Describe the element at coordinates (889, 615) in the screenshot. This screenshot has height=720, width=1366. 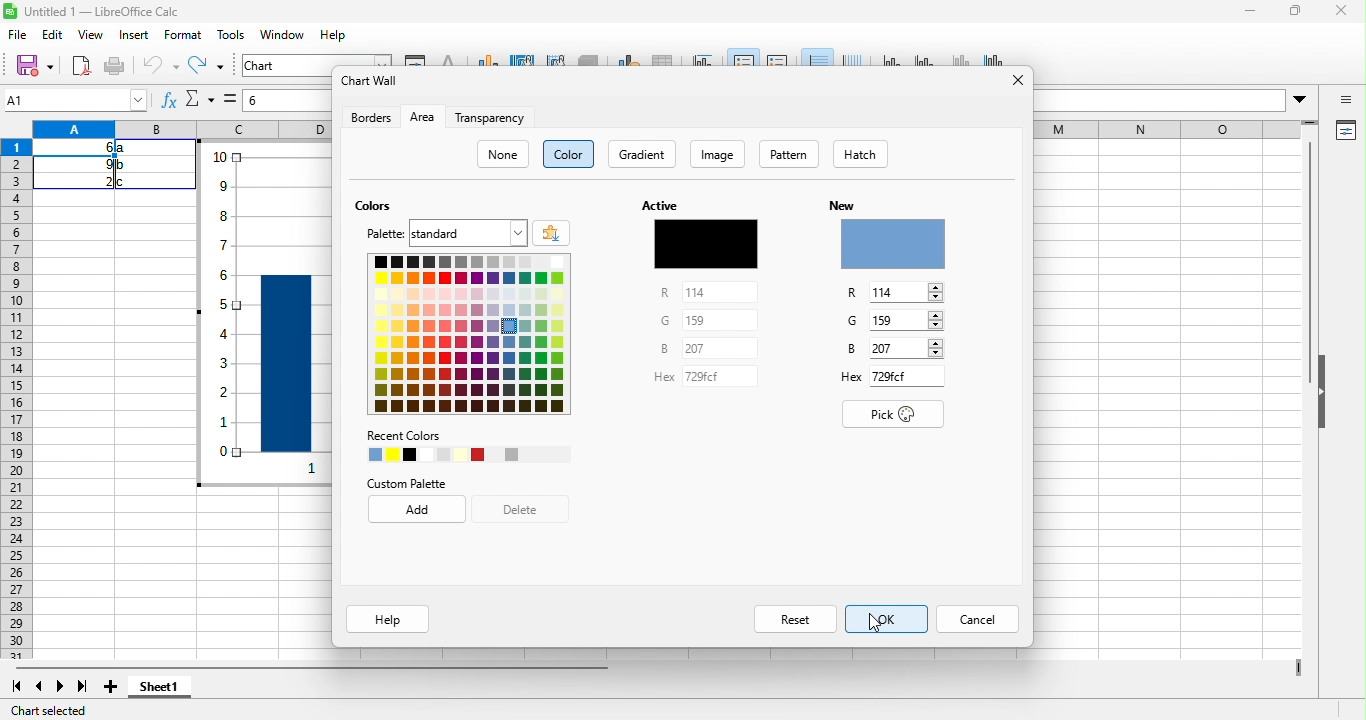
I see `ok` at that location.